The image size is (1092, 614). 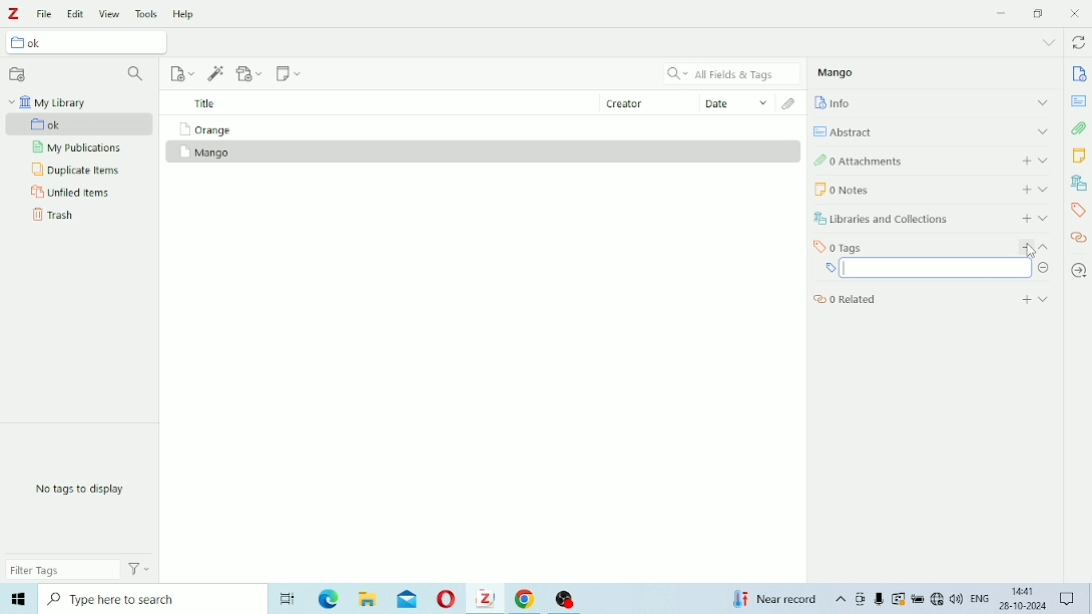 What do you see at coordinates (487, 599) in the screenshot?
I see `Zotero` at bounding box center [487, 599].